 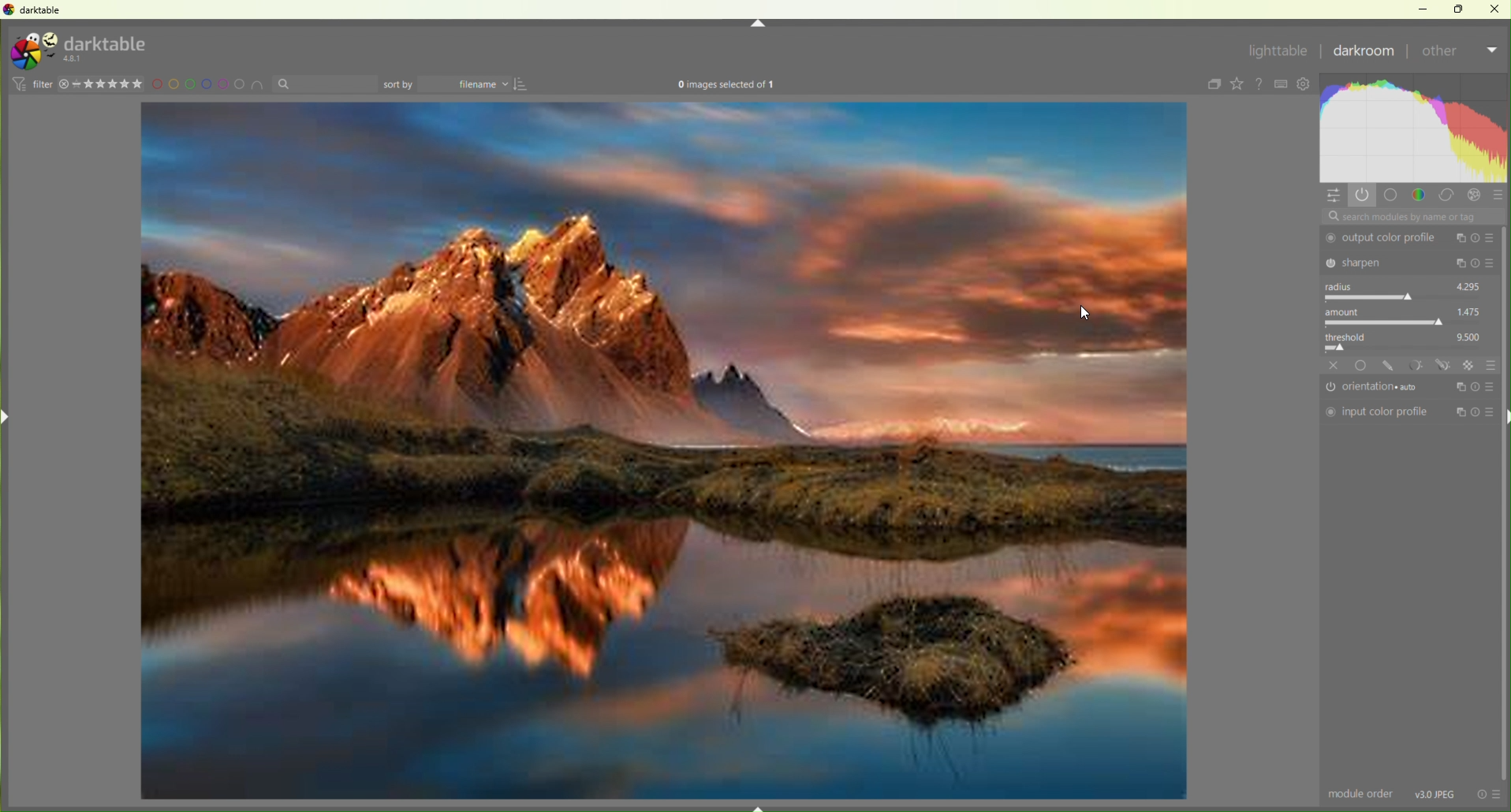 What do you see at coordinates (1277, 54) in the screenshot?
I see `lighttable` at bounding box center [1277, 54].